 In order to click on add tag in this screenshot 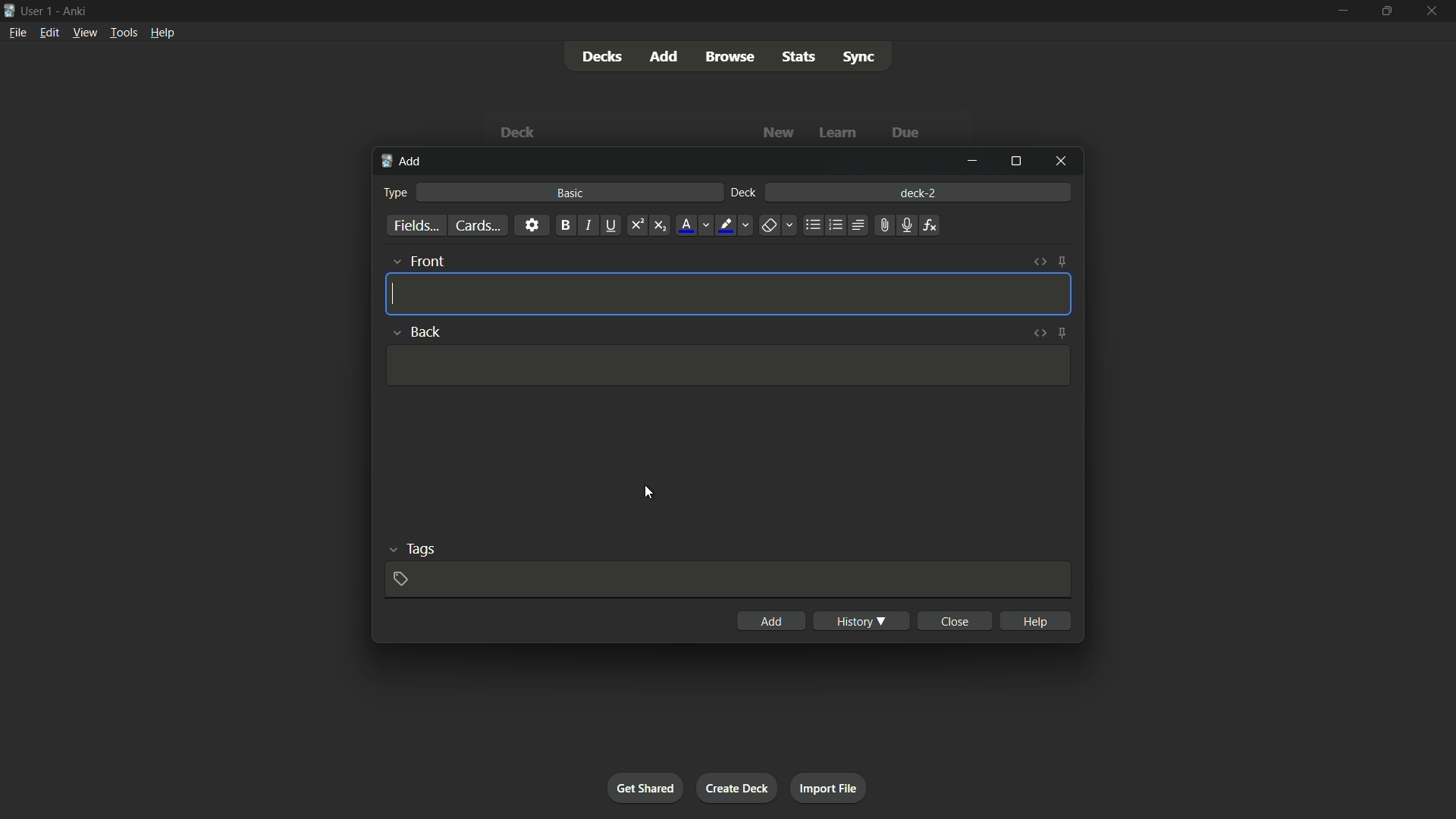, I will do `click(403, 579)`.